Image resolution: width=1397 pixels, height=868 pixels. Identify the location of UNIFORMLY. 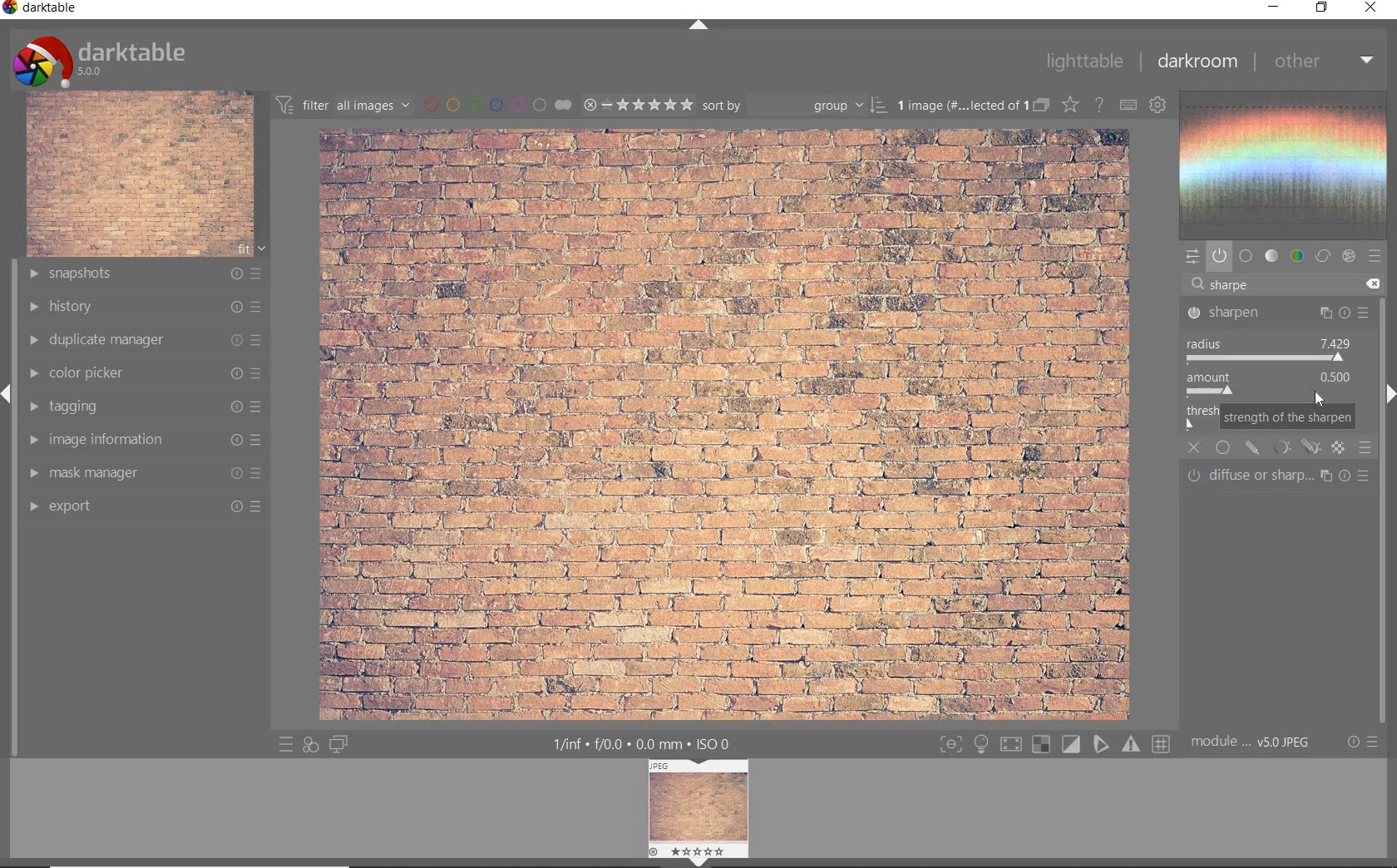
(1224, 448).